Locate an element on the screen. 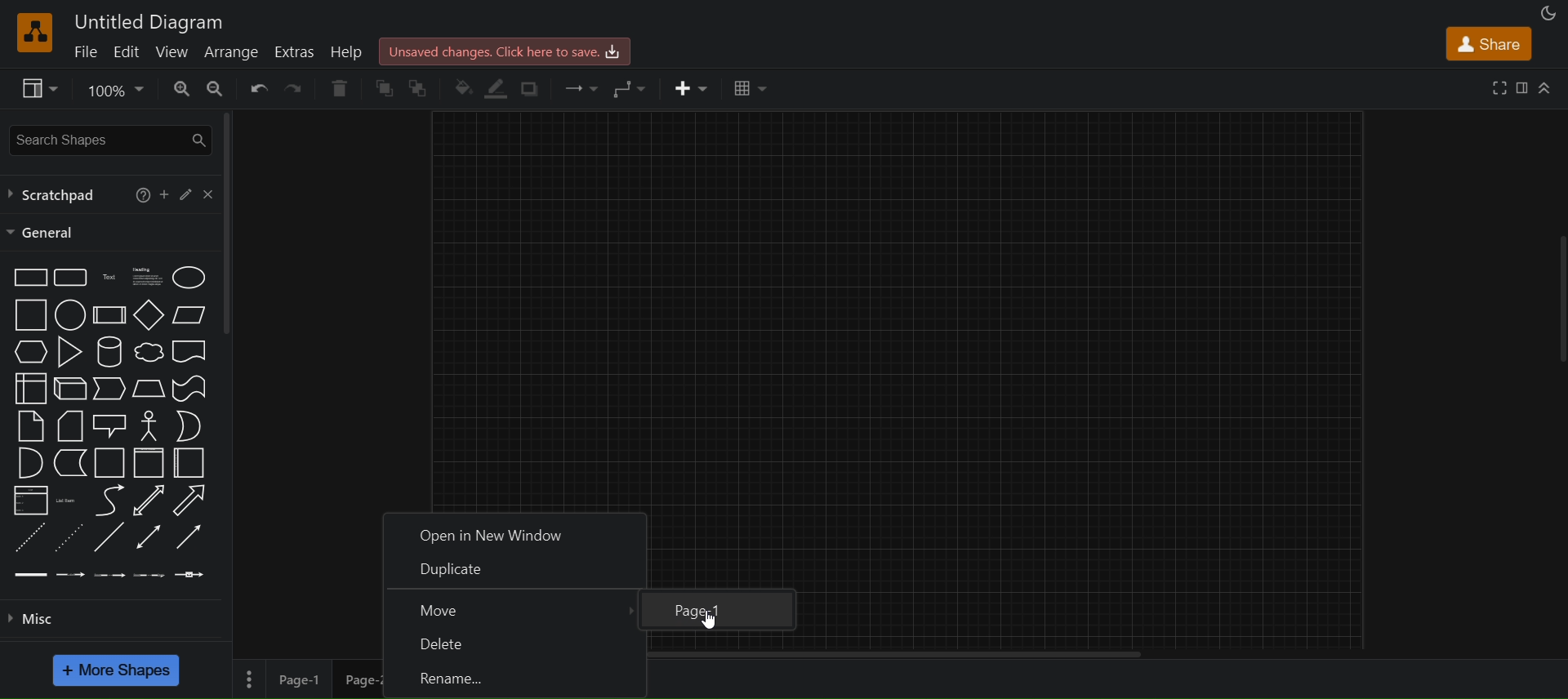  delete is located at coordinates (512, 644).